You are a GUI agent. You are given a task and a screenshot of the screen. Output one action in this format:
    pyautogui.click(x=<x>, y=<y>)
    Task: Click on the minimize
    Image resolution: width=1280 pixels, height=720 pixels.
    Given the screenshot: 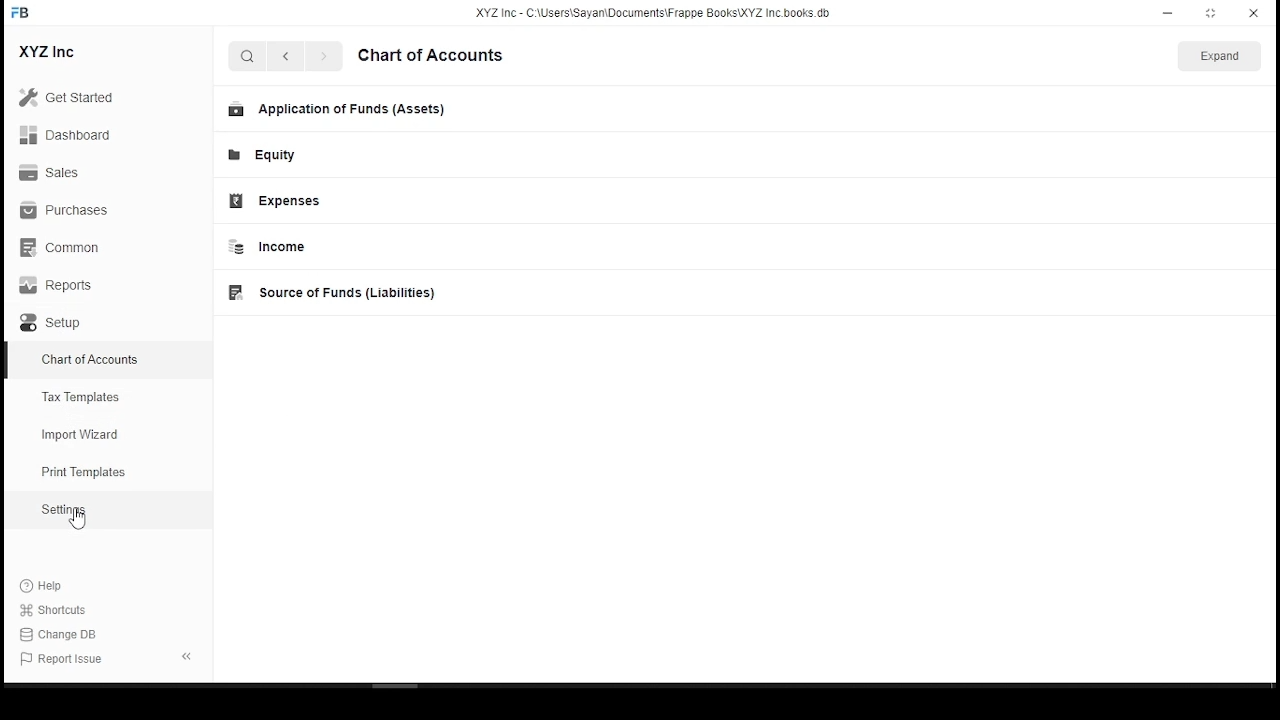 What is the action you would take?
    pyautogui.click(x=1168, y=13)
    